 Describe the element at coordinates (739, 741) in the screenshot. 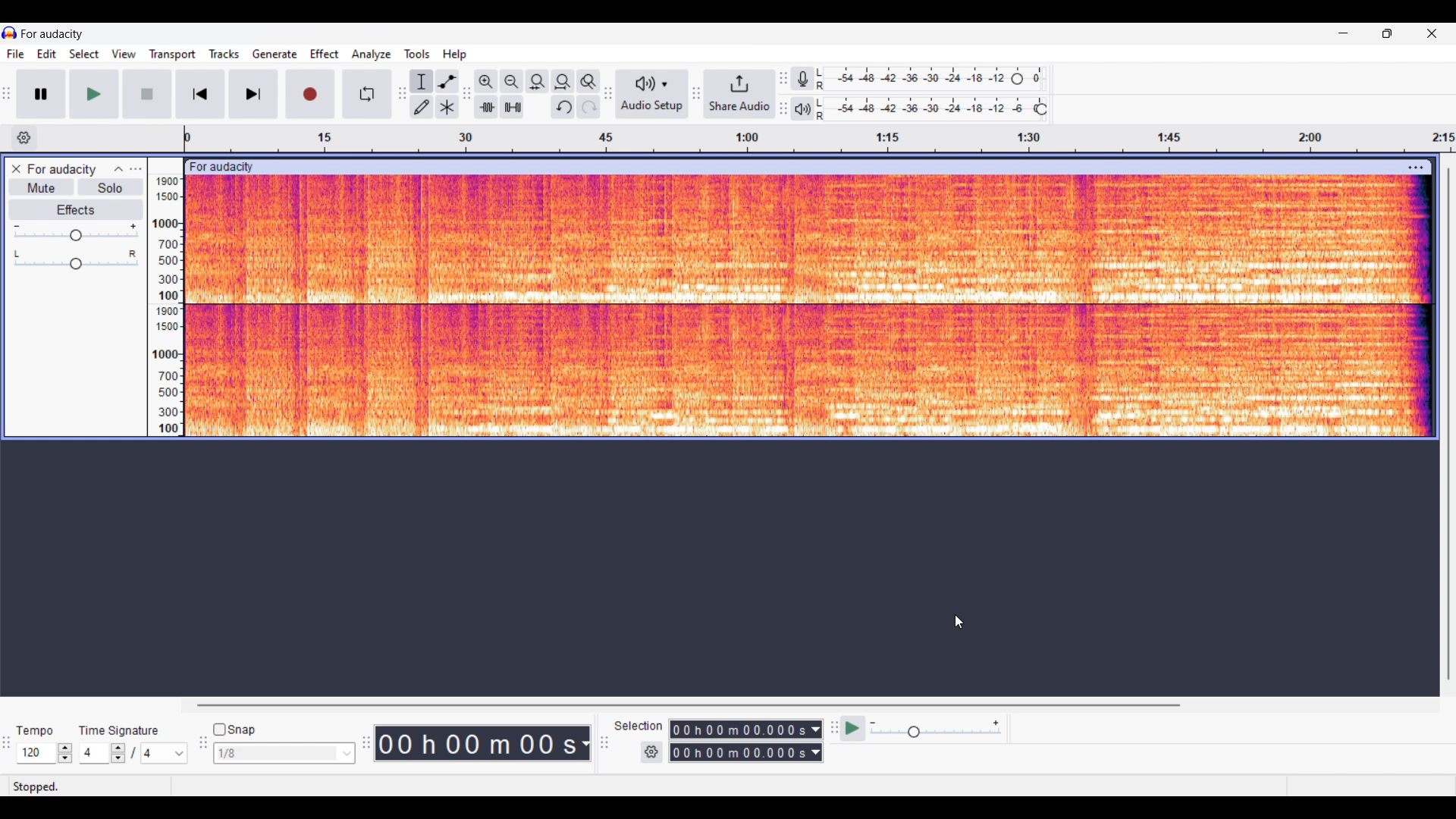

I see `Selection duration` at that location.